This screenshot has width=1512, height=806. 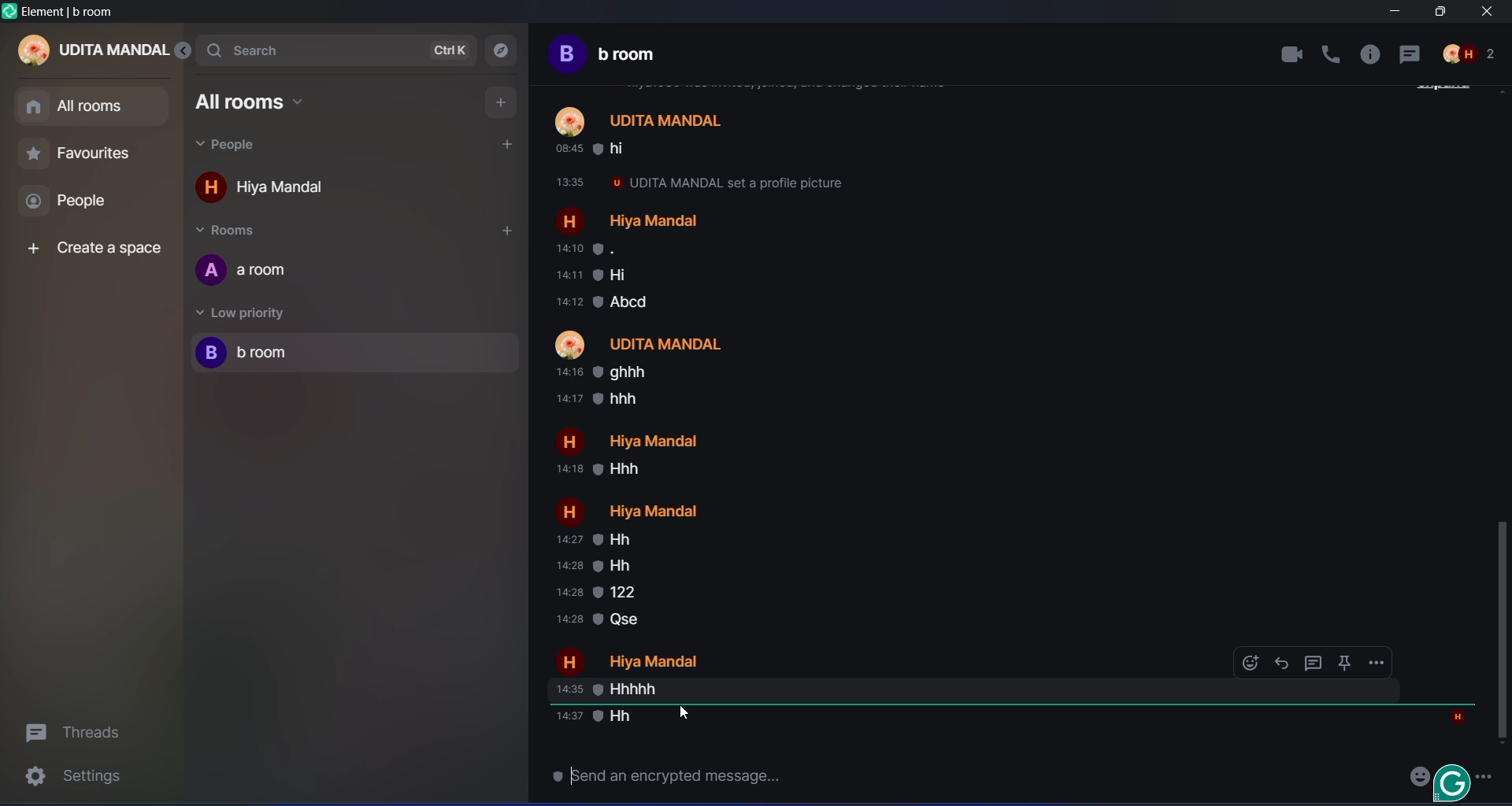 What do you see at coordinates (1392, 13) in the screenshot?
I see `Minimize ` at bounding box center [1392, 13].